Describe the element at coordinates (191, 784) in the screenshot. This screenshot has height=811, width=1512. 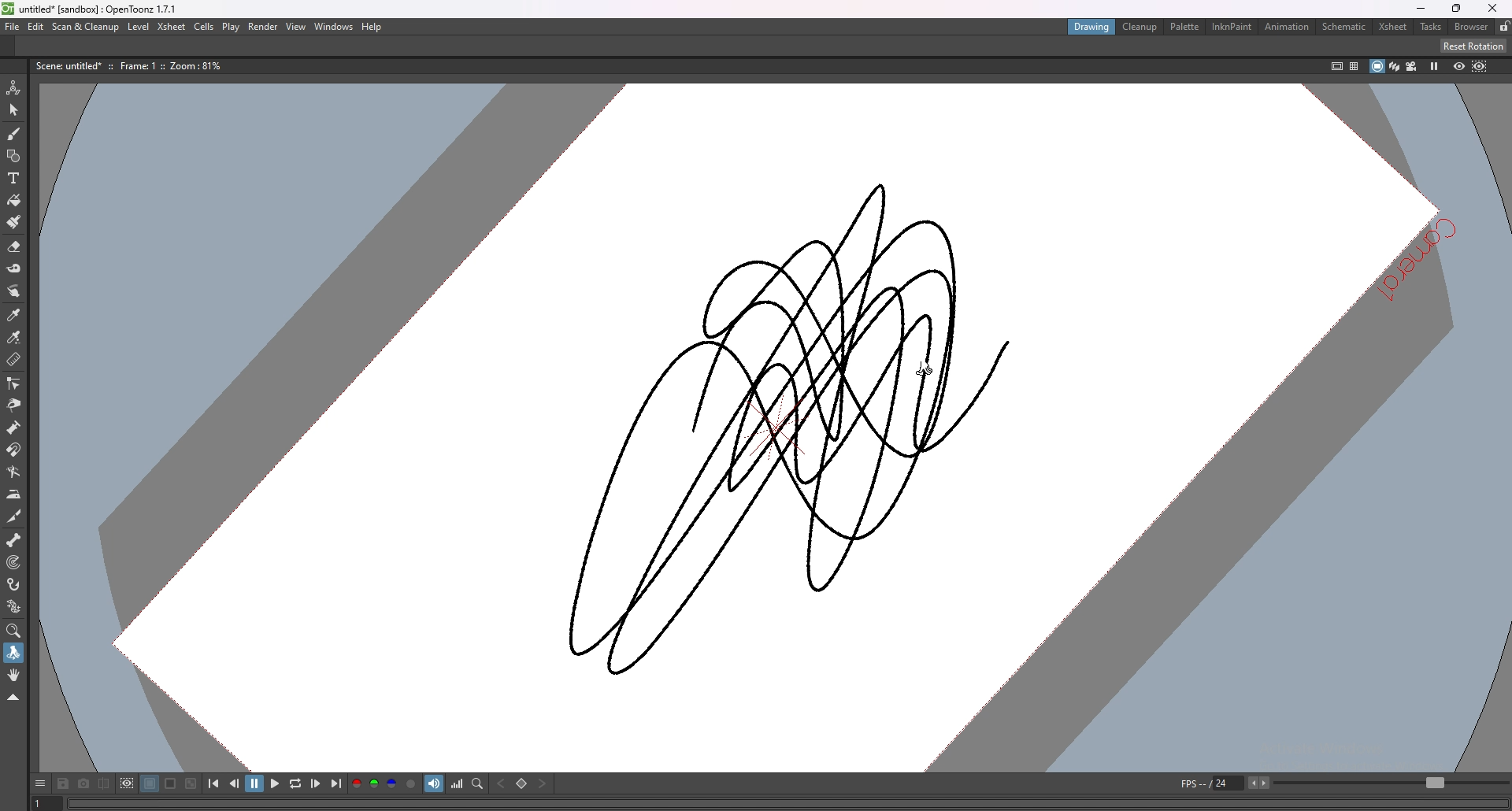
I see `checkered background` at that location.